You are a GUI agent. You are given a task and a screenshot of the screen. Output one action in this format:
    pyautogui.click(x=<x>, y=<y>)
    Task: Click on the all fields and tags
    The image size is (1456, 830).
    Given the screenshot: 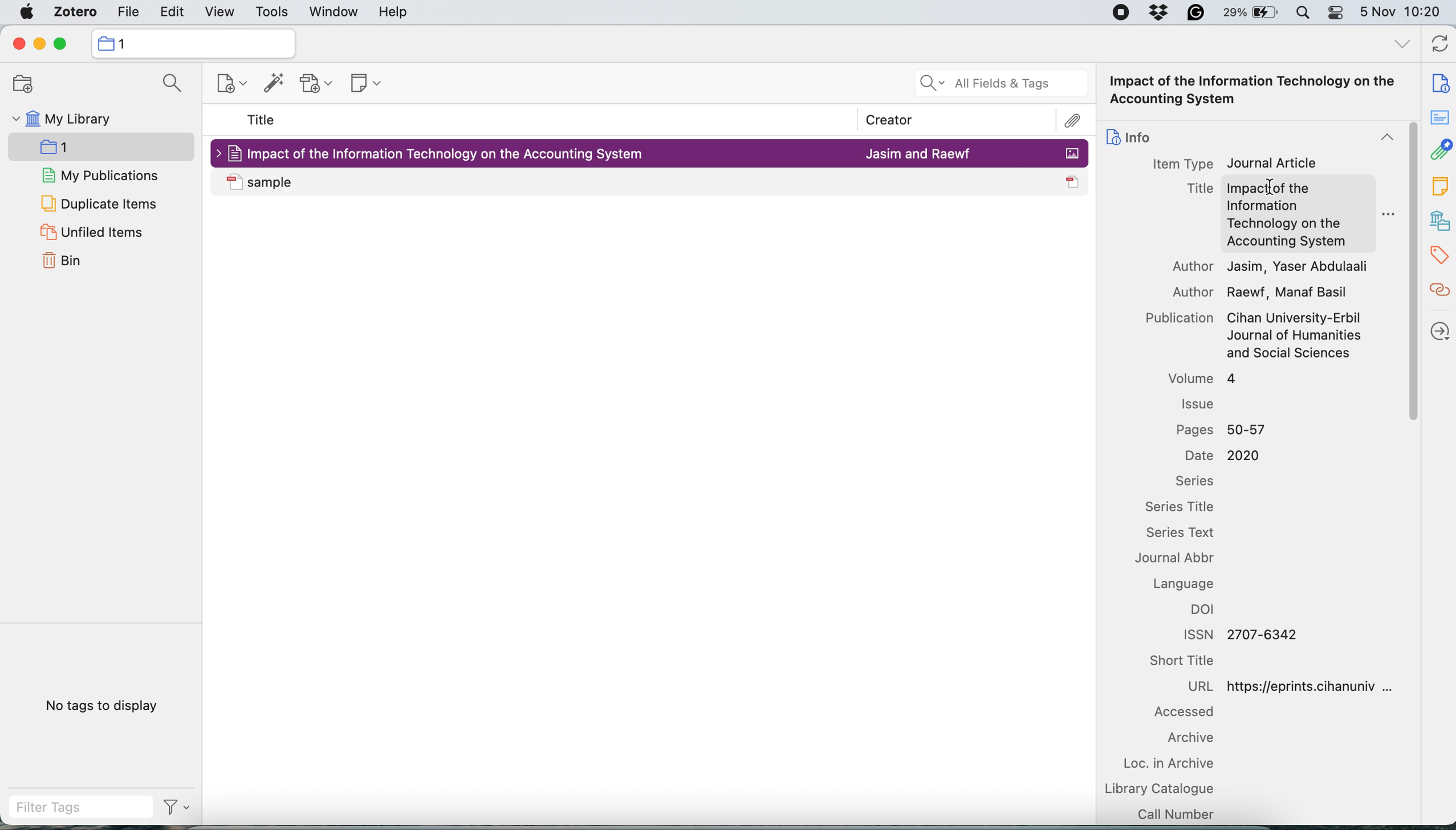 What is the action you would take?
    pyautogui.click(x=998, y=83)
    